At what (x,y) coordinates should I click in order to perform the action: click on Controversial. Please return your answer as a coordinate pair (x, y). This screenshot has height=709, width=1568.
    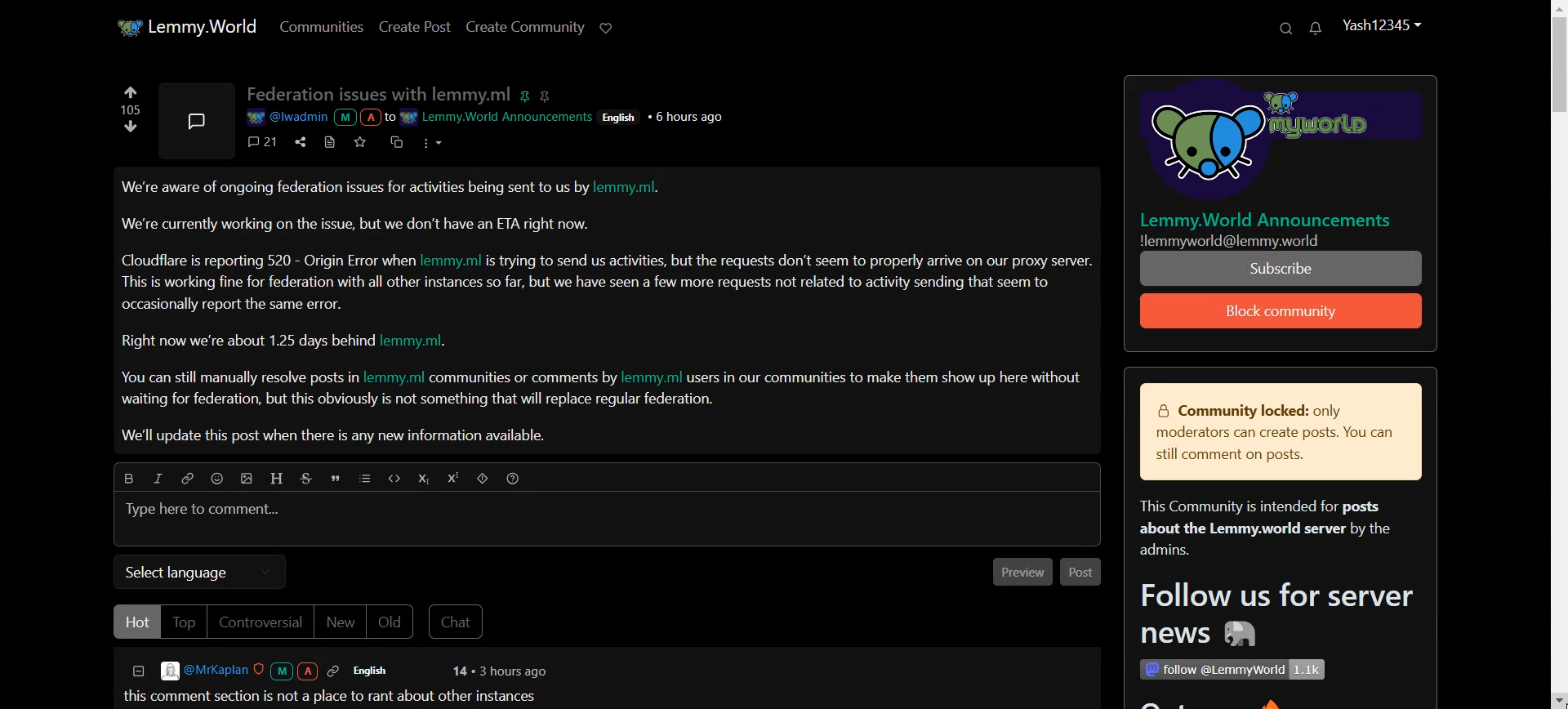
    Looking at the image, I should click on (260, 622).